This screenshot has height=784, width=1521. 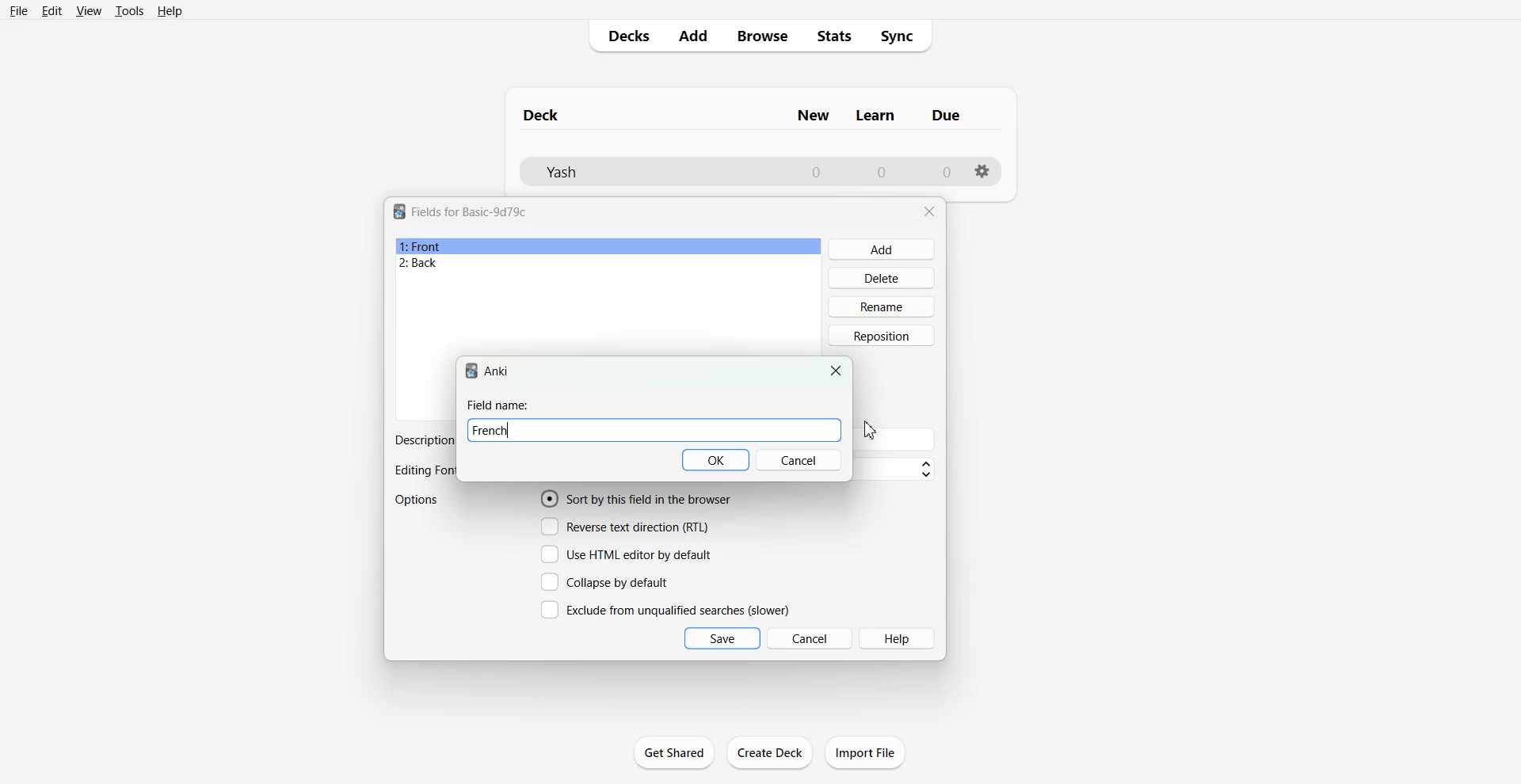 I want to click on OK, so click(x=717, y=460).